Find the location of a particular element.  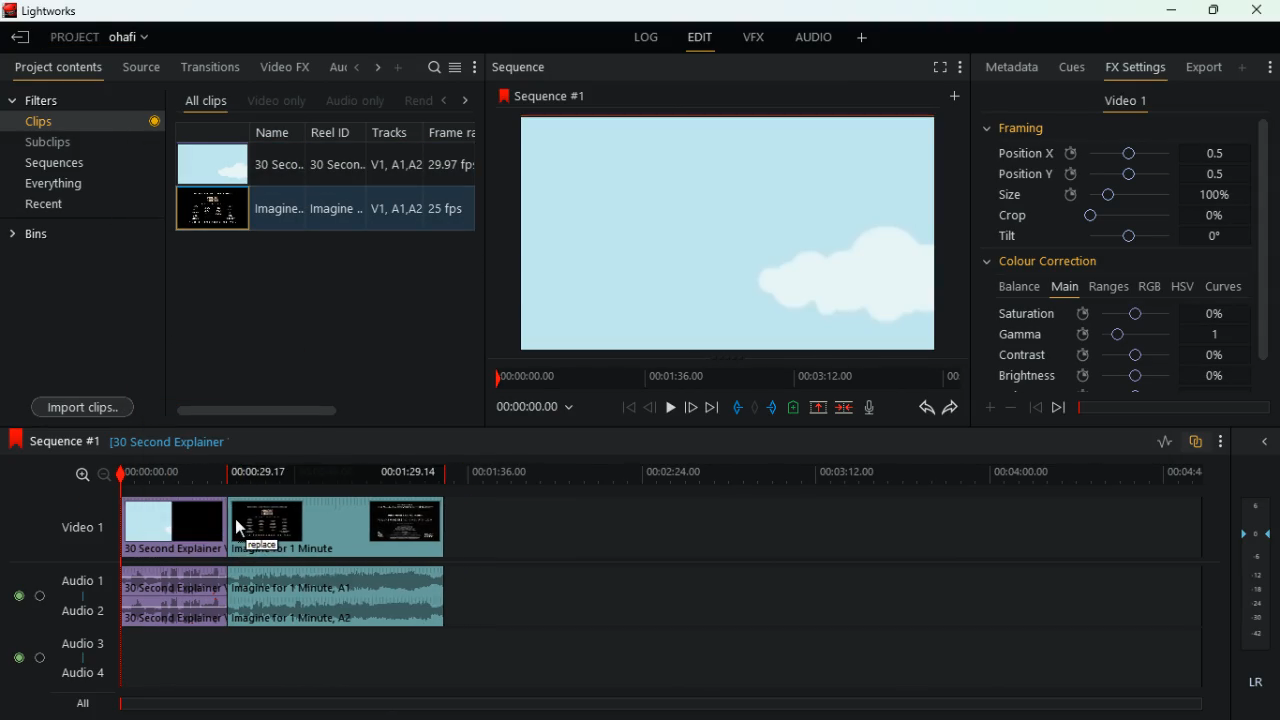

transitions is located at coordinates (212, 67).